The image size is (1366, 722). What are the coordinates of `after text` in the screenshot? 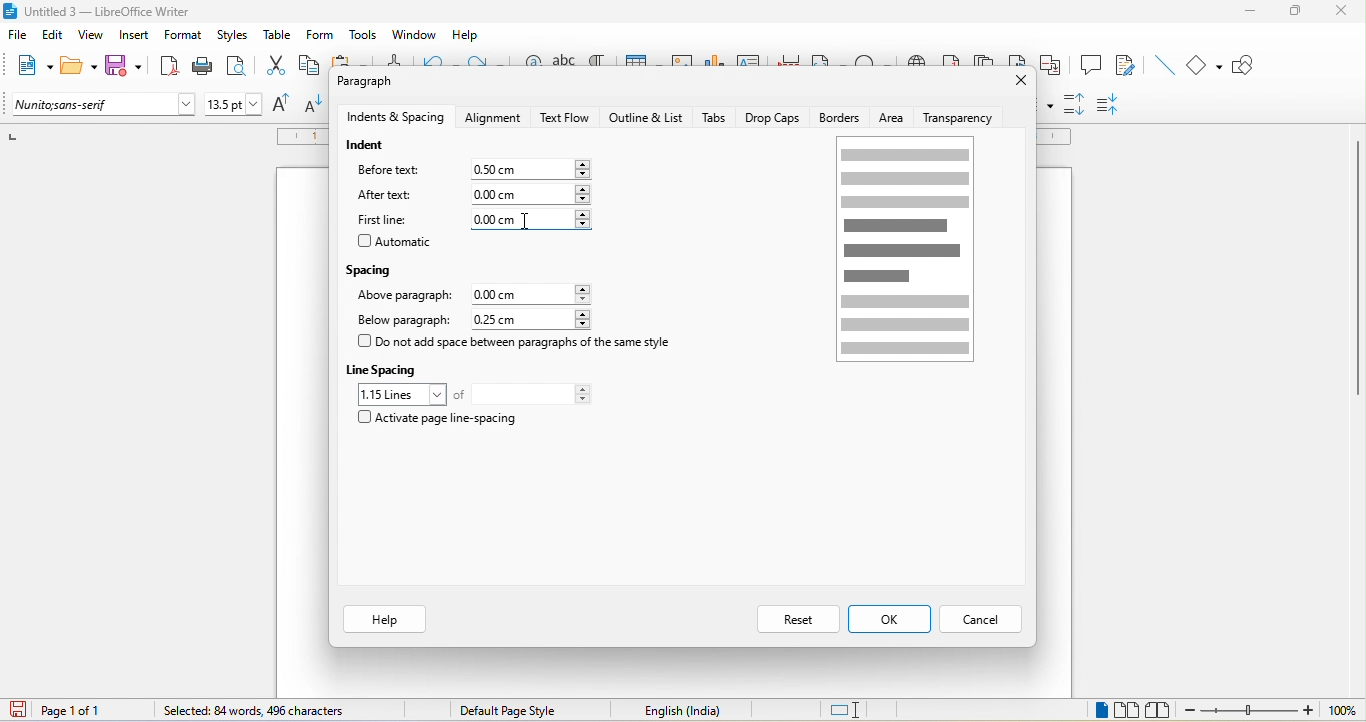 It's located at (384, 194).